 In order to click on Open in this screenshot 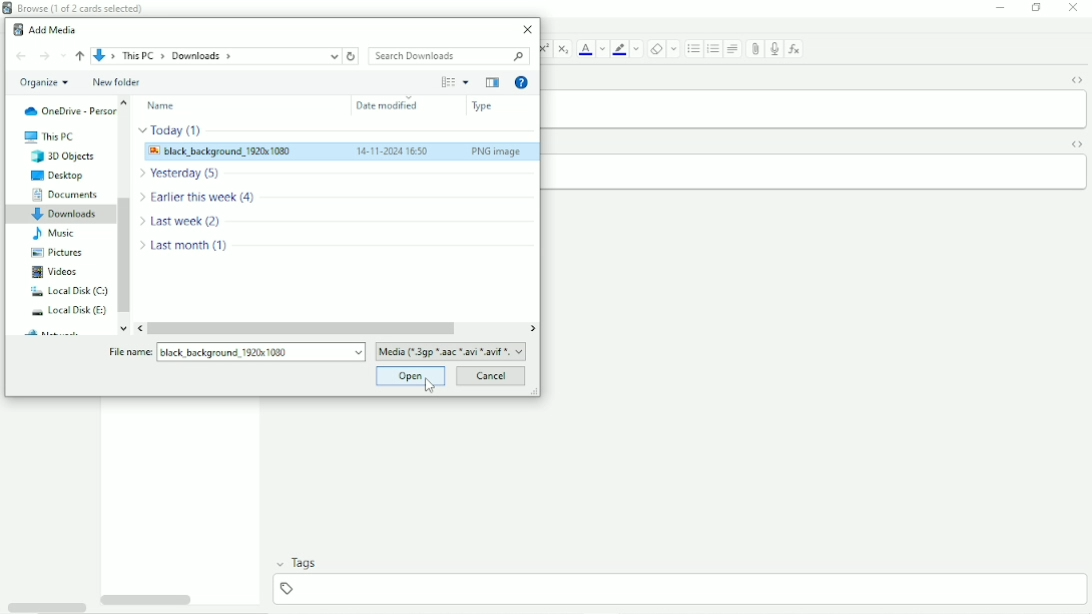, I will do `click(410, 376)`.